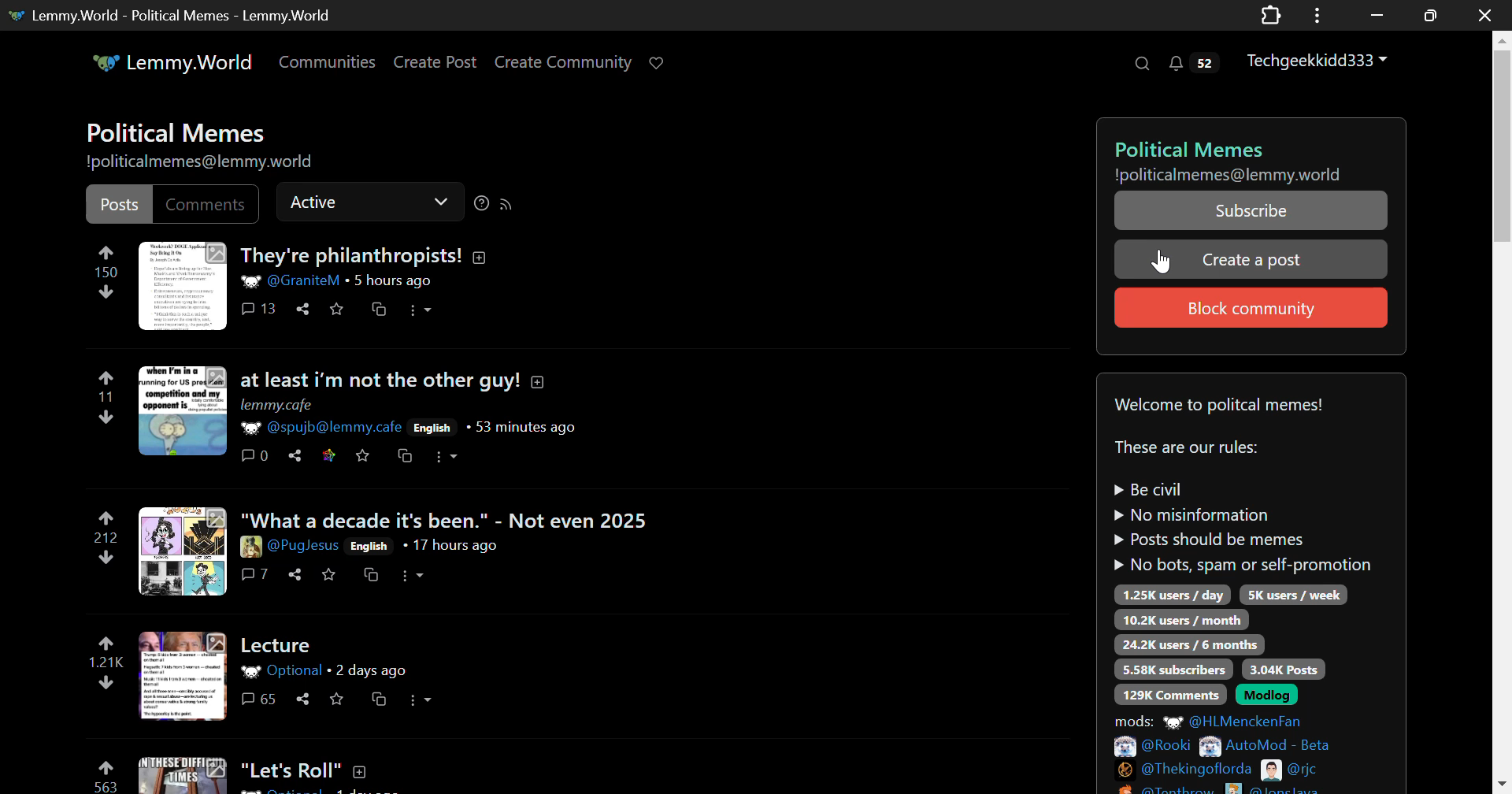 The height and width of the screenshot is (794, 1512). What do you see at coordinates (120, 205) in the screenshot?
I see `Posts Filter Selected` at bounding box center [120, 205].